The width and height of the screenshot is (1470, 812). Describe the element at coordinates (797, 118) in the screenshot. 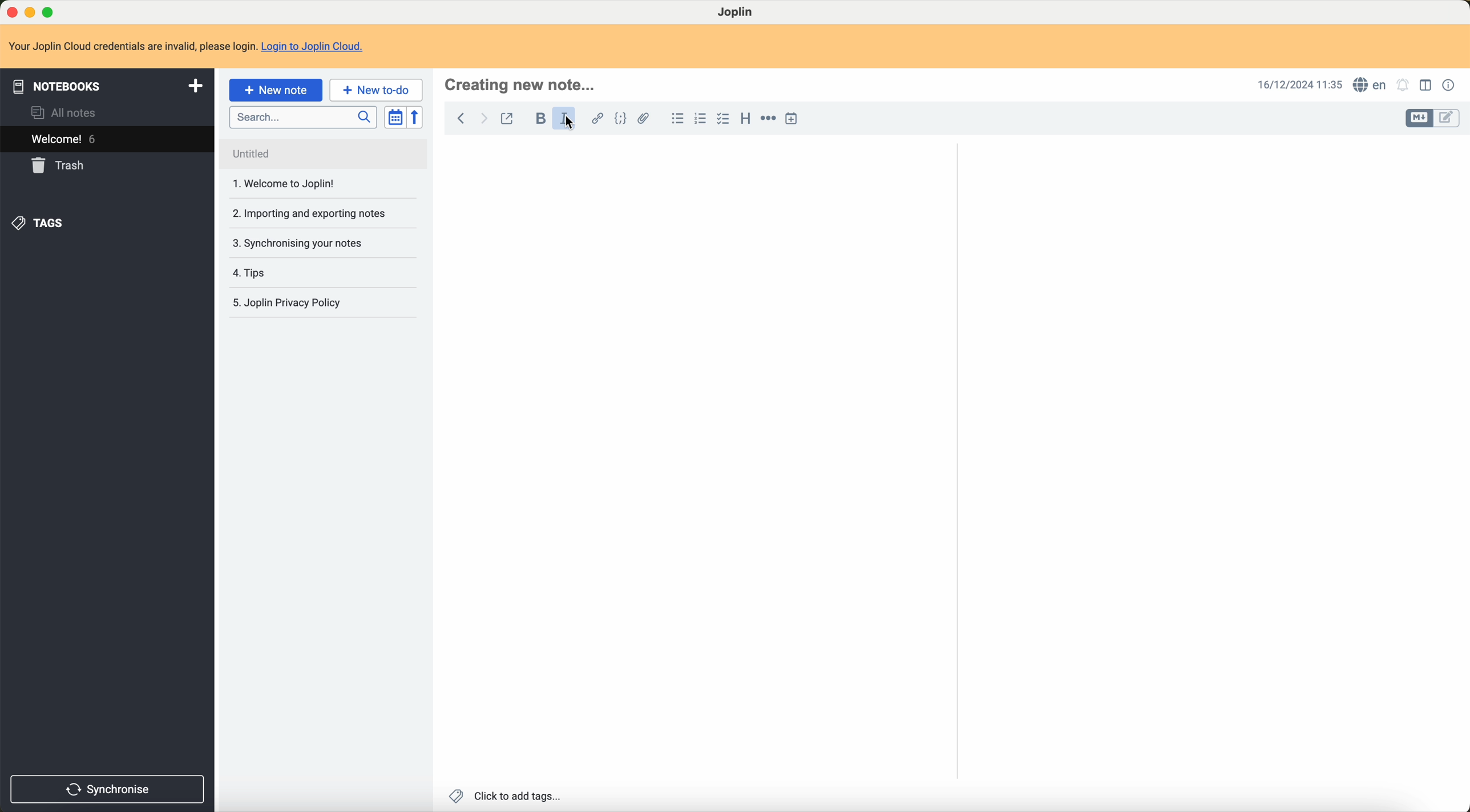

I see `insert time` at that location.